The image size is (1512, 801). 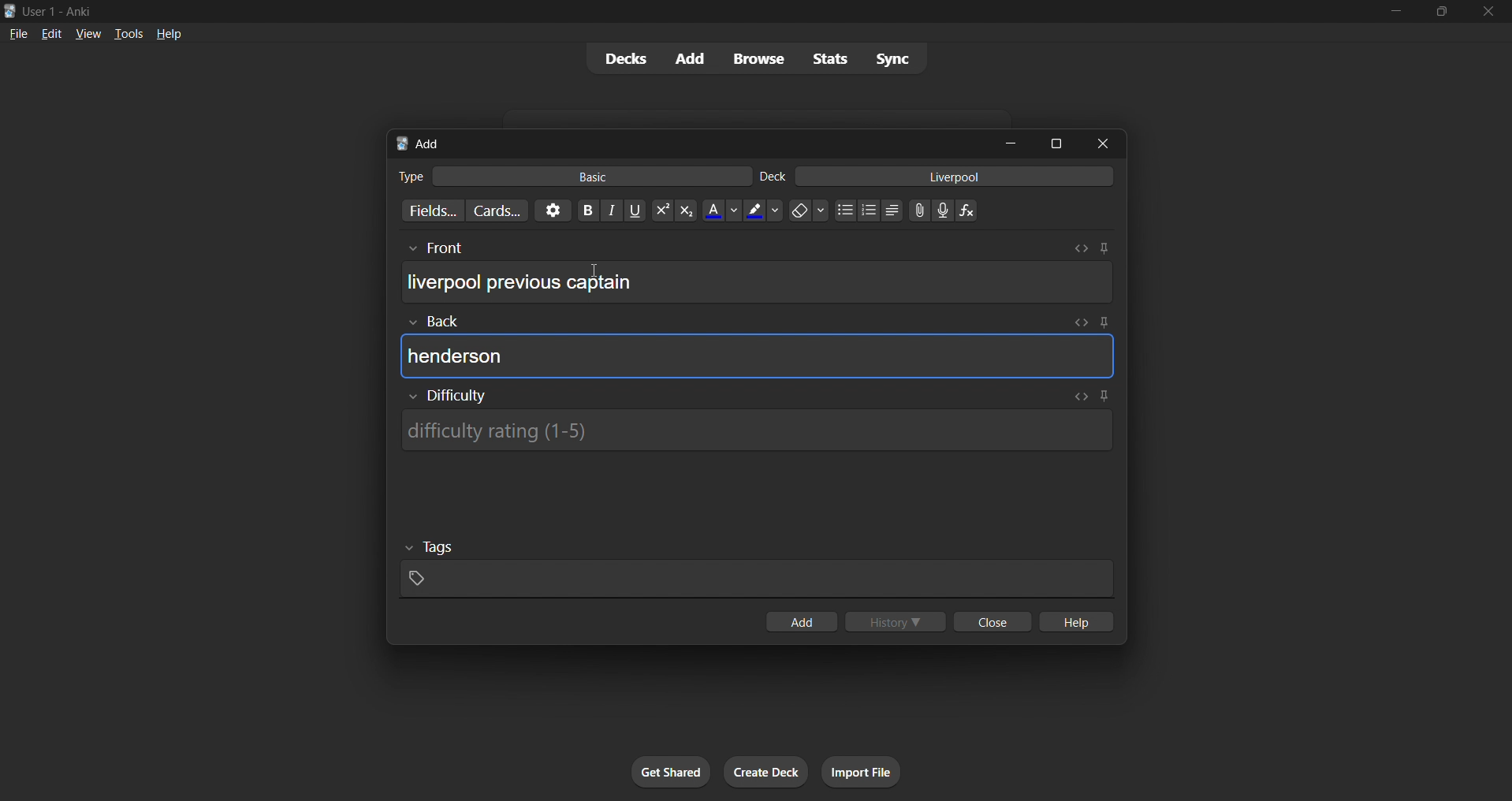 What do you see at coordinates (893, 61) in the screenshot?
I see `sync` at bounding box center [893, 61].